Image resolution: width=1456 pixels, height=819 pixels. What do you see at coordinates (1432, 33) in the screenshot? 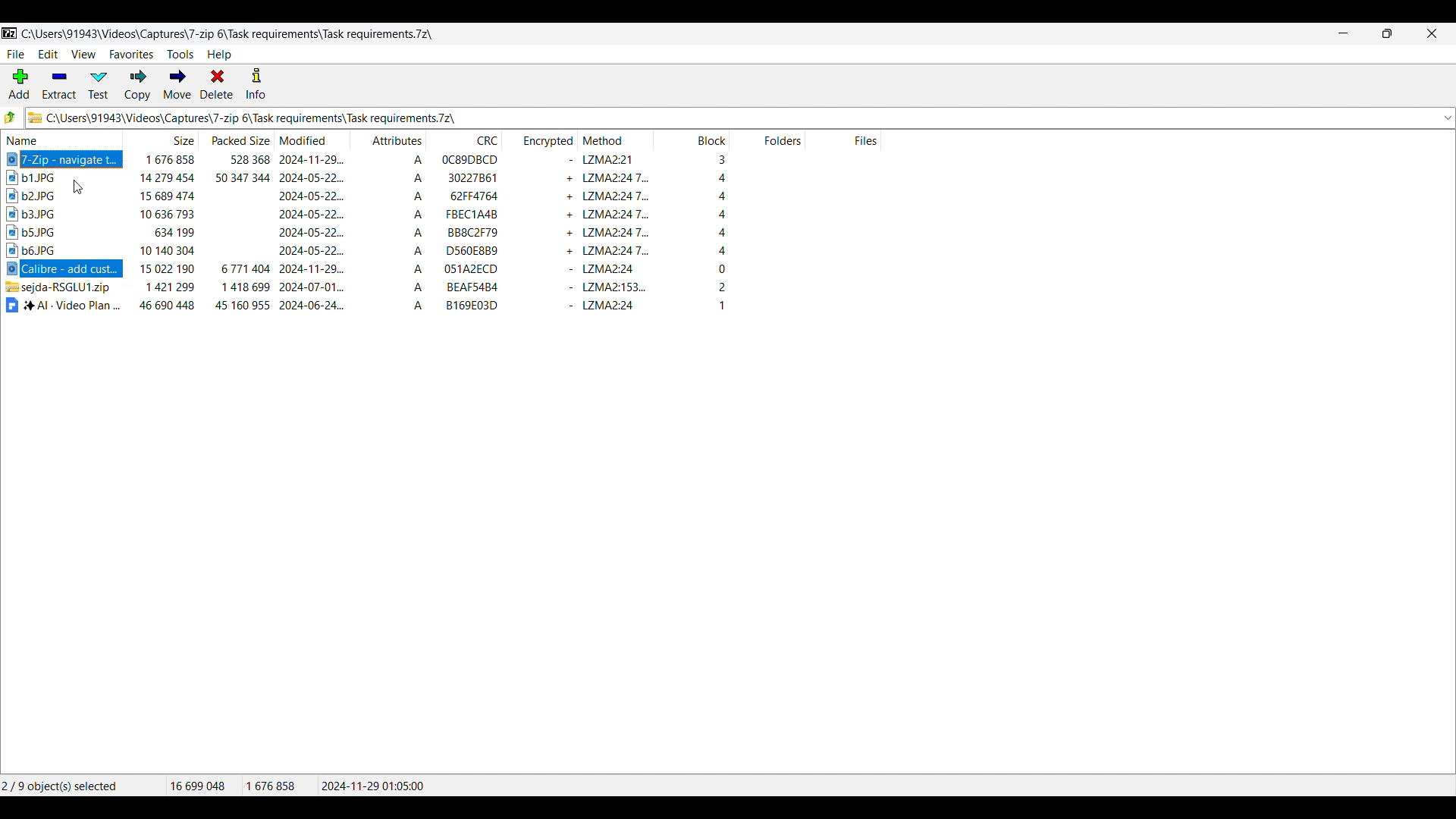
I see `Close interface` at bounding box center [1432, 33].